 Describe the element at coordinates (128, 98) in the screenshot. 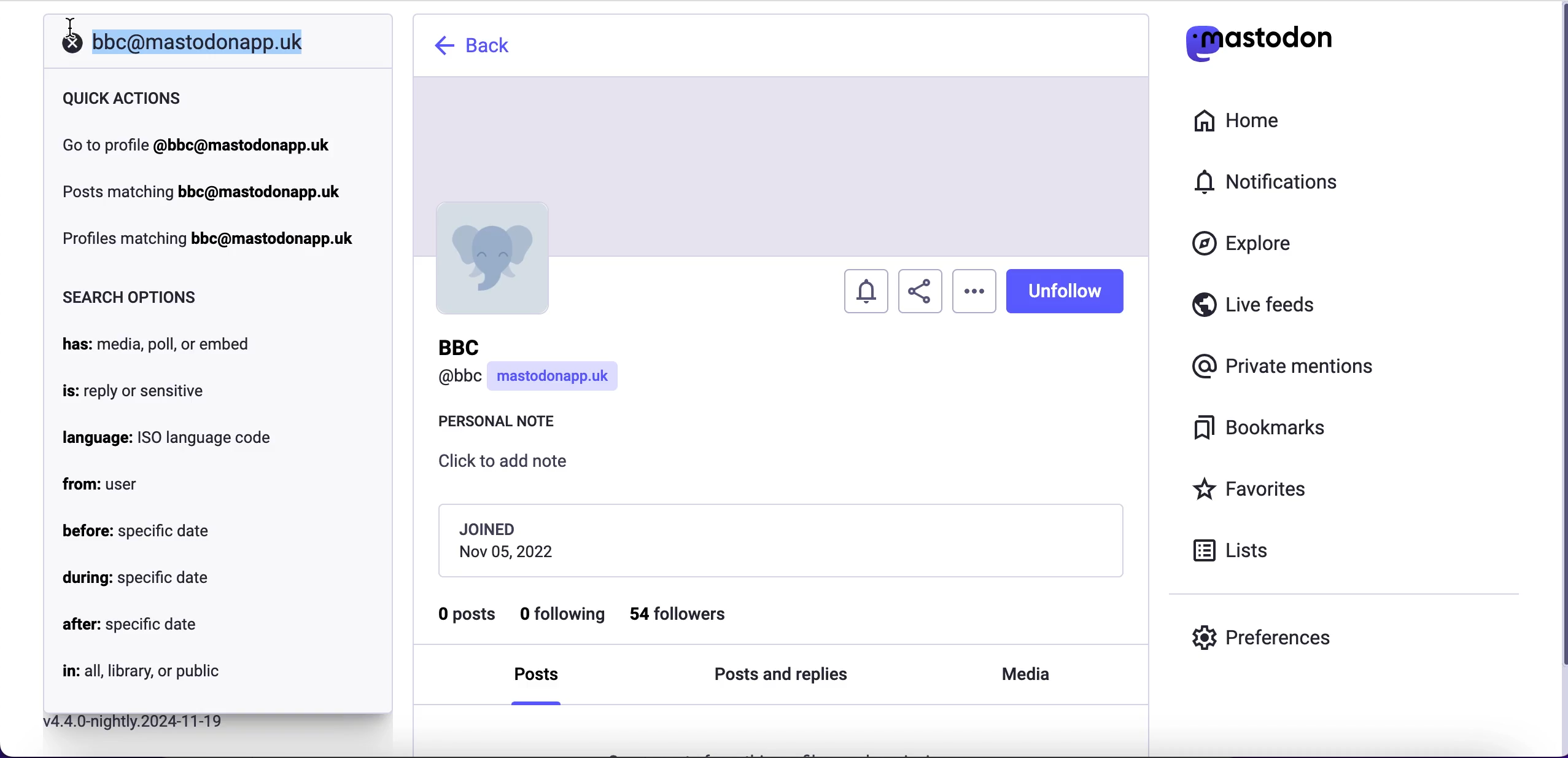

I see `quick actions` at that location.